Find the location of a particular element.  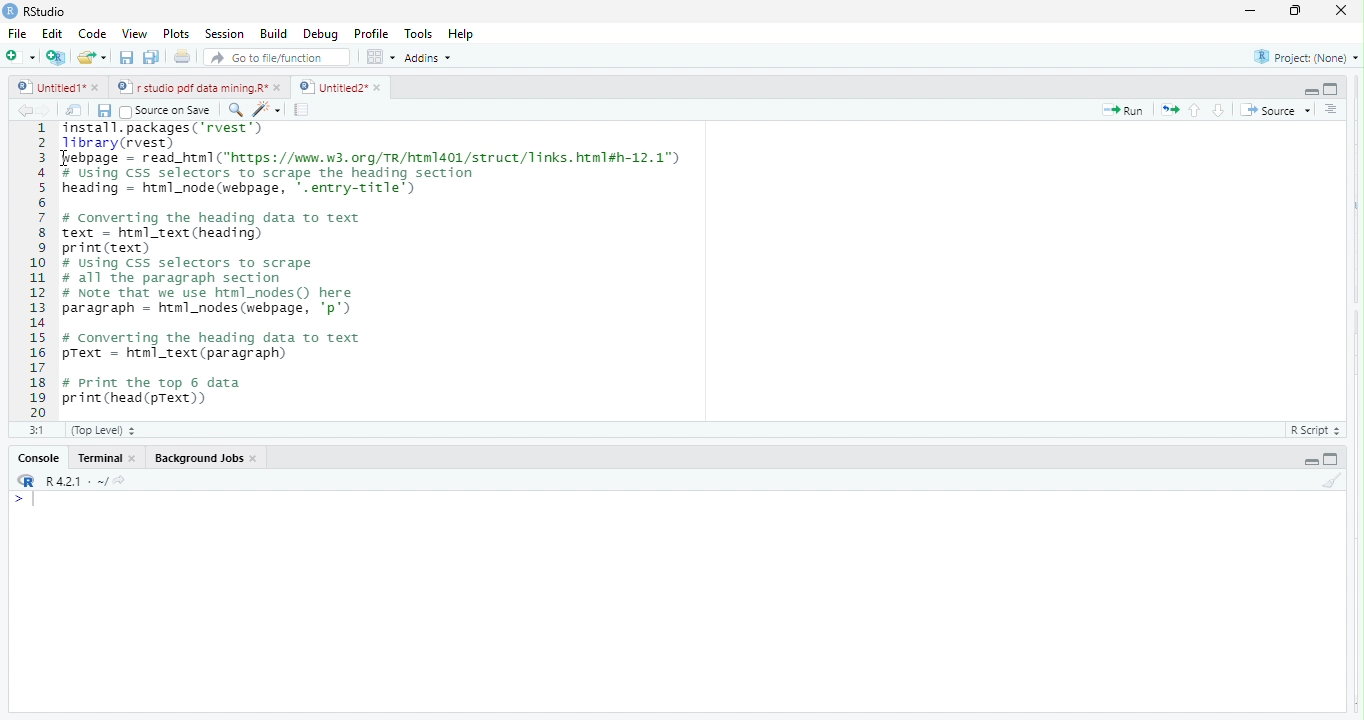

clear console is located at coordinates (1340, 478).